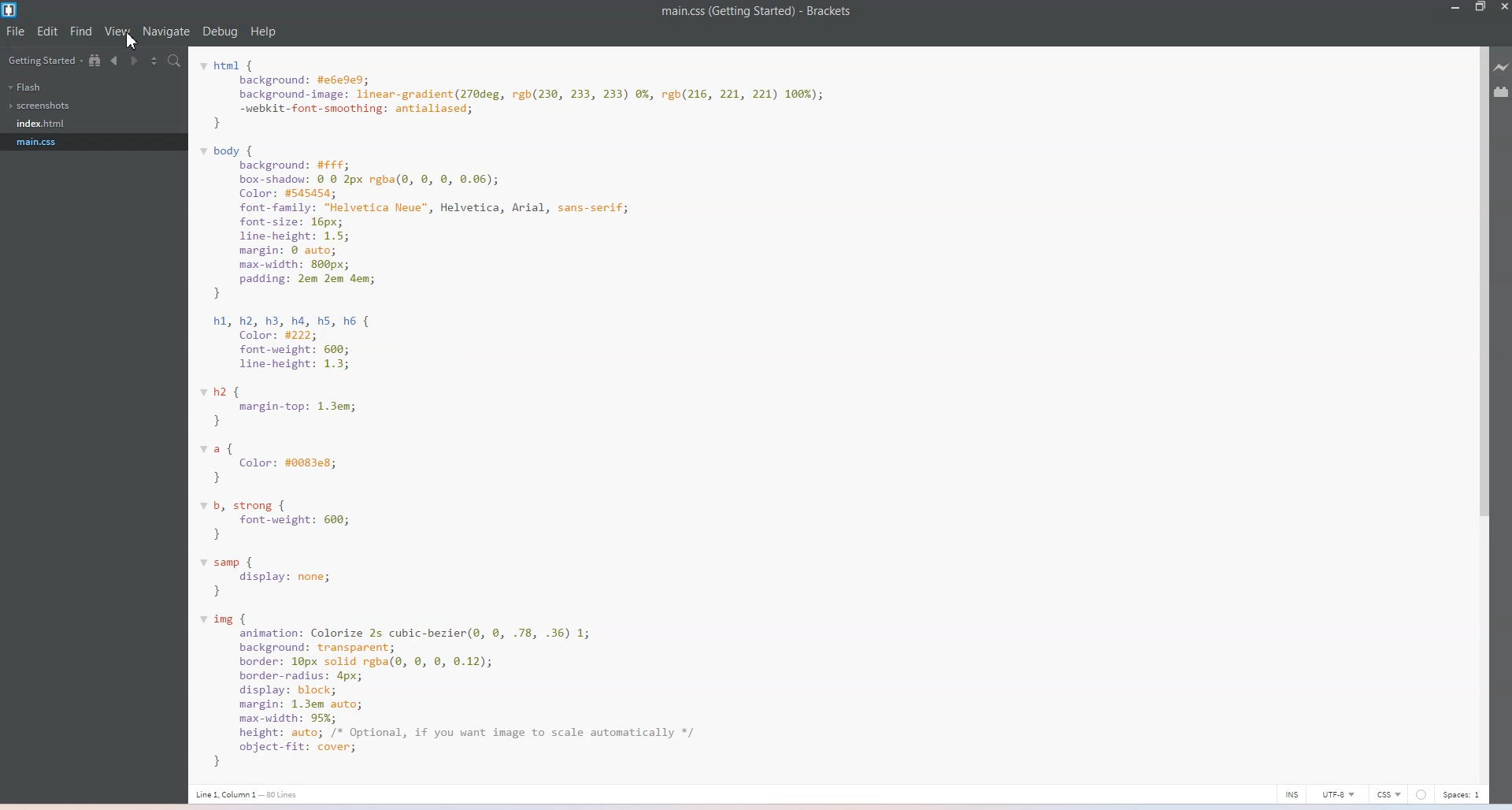  Describe the element at coordinates (1390, 794) in the screenshot. I see `CSS` at that location.